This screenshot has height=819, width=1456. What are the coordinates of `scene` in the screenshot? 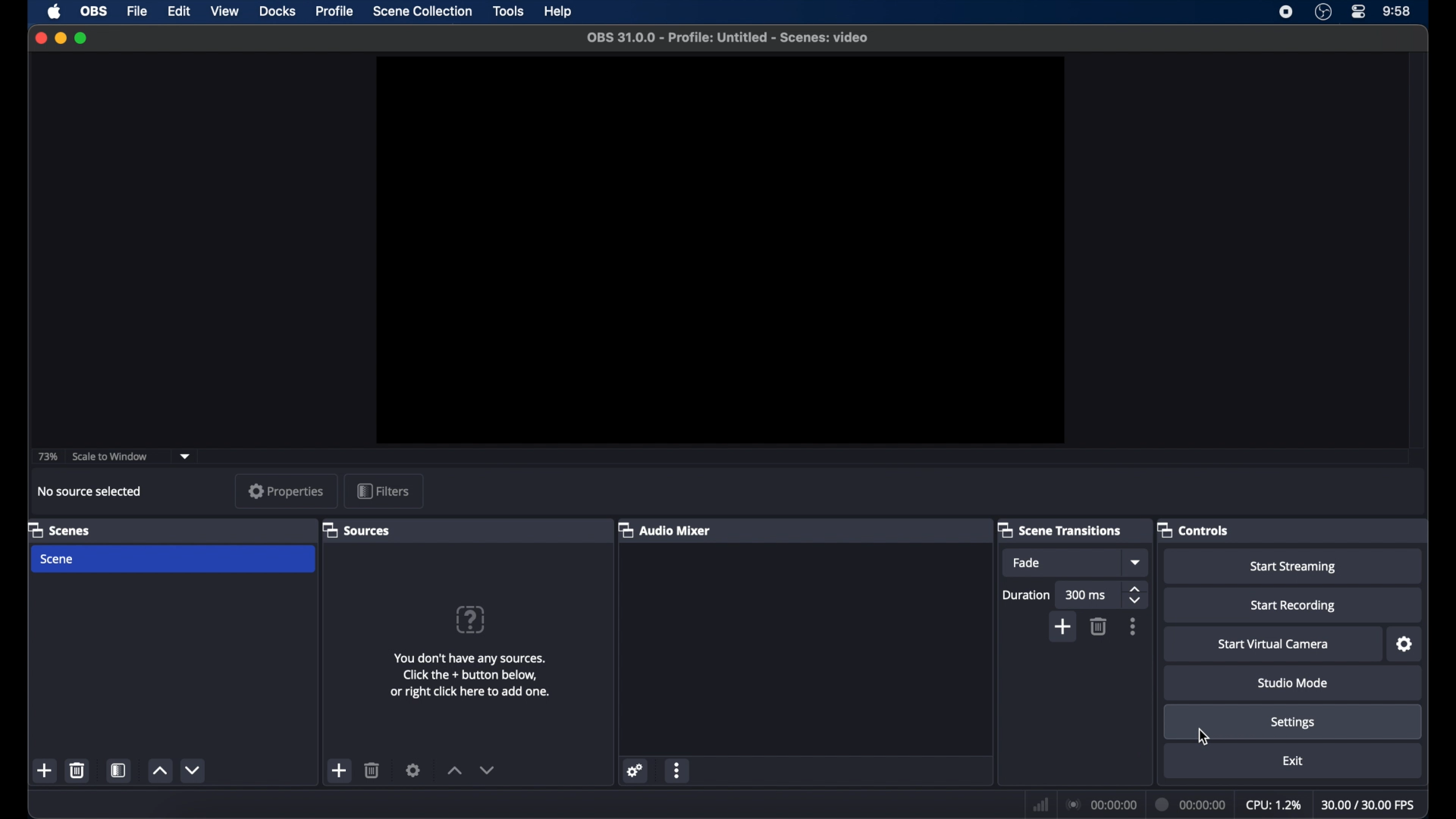 It's located at (58, 559).